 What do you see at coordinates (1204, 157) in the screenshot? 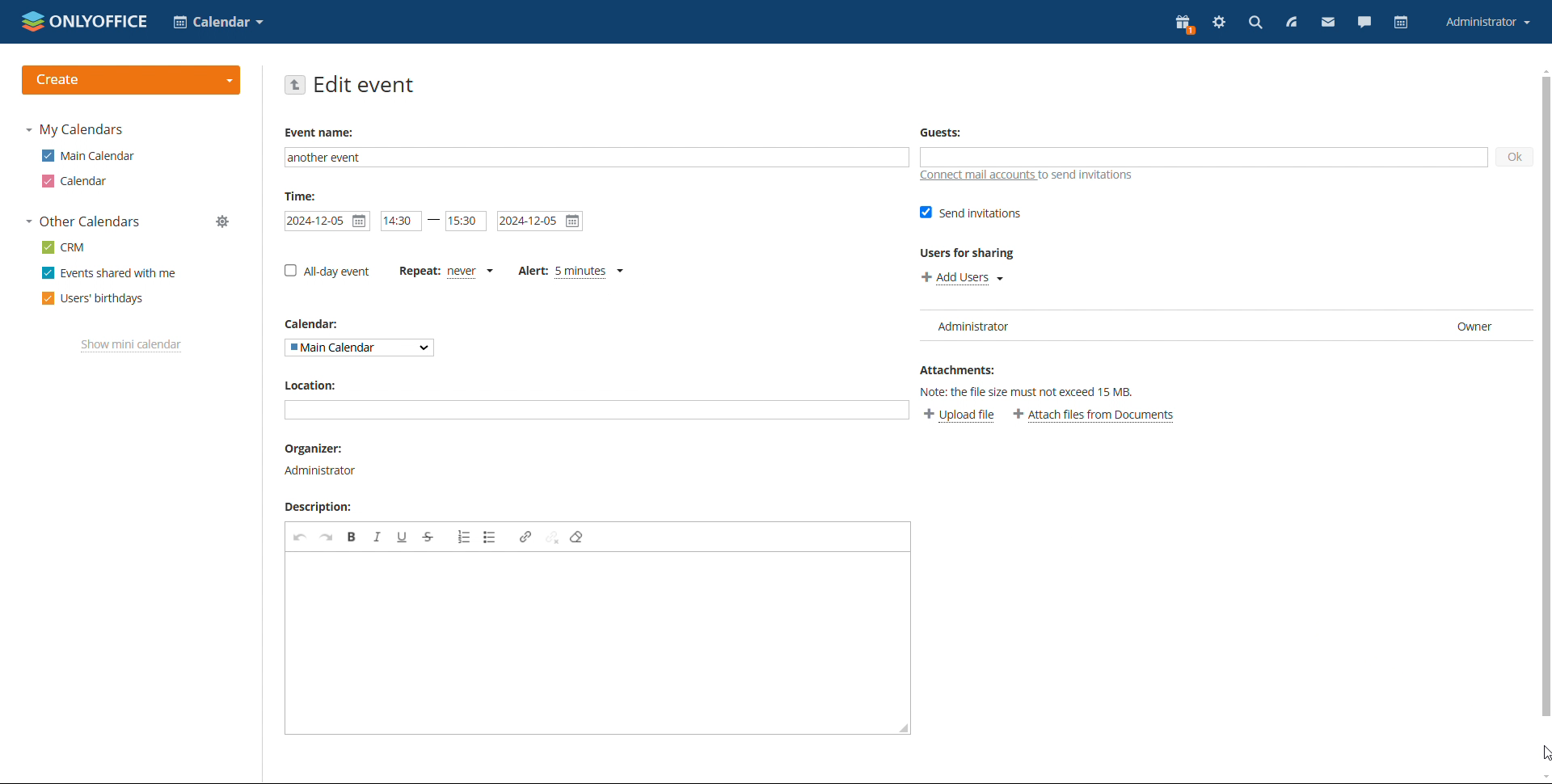
I see `add guests` at bounding box center [1204, 157].